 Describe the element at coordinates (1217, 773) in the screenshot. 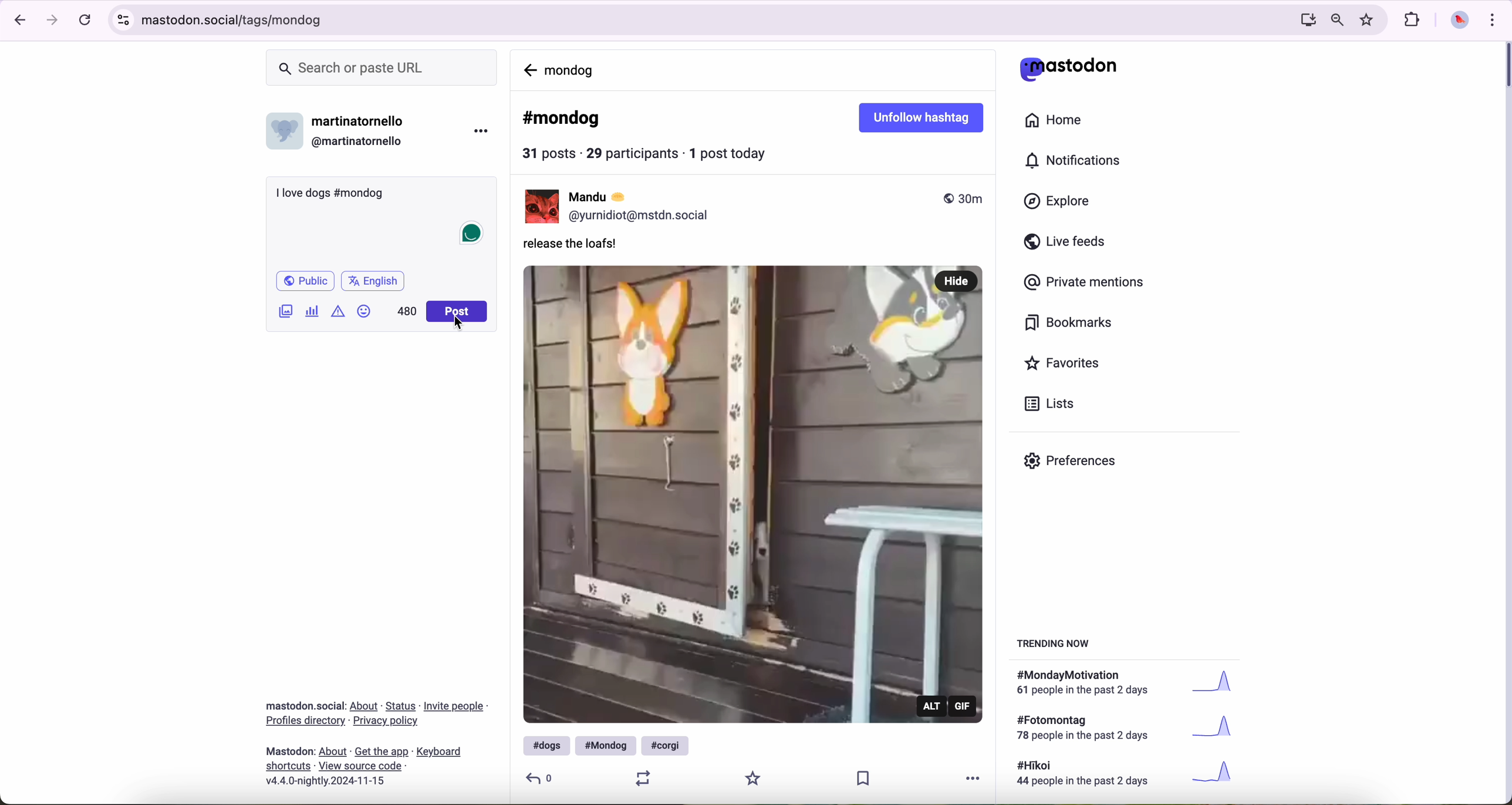

I see `graph` at that location.